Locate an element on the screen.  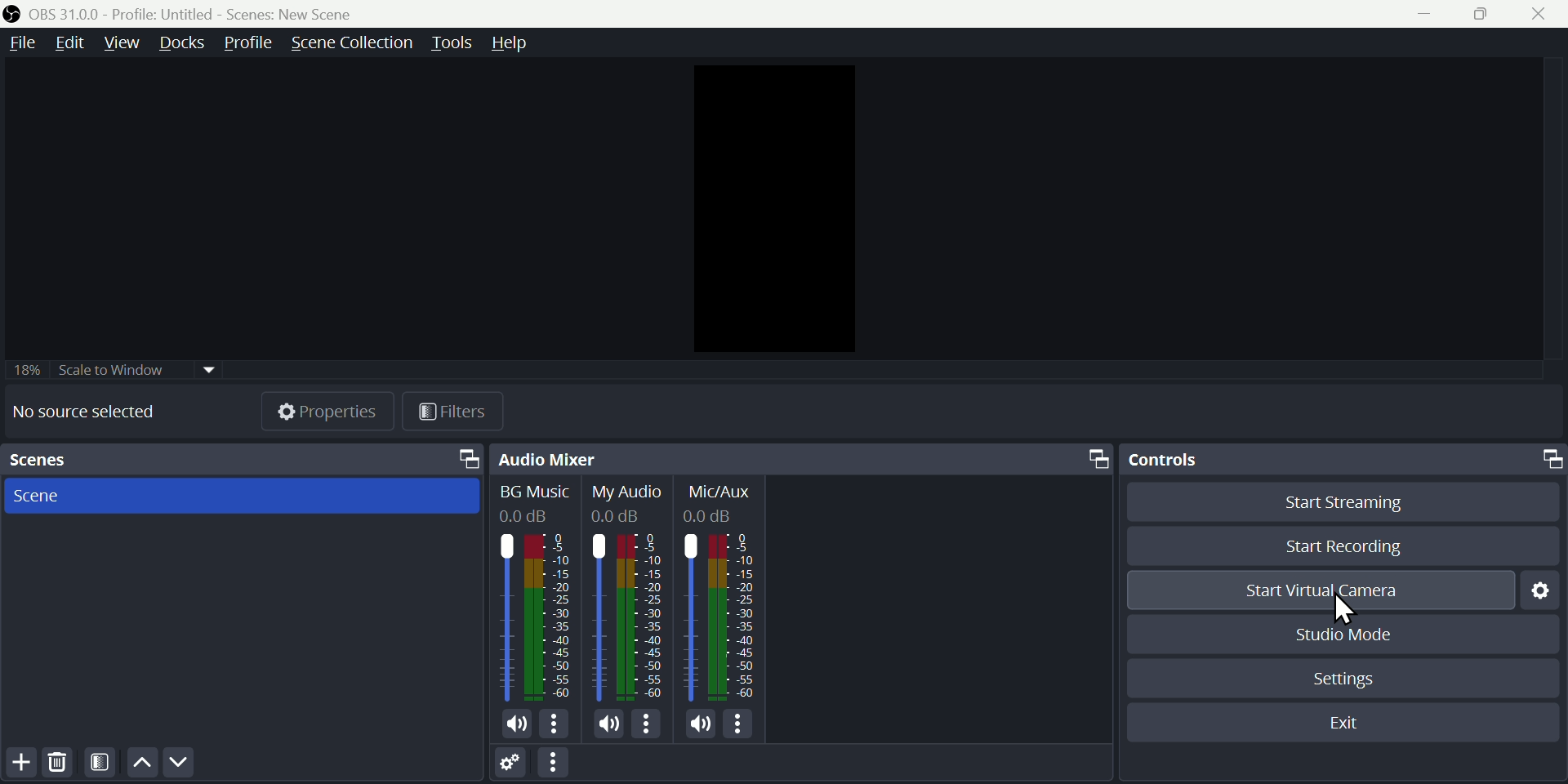
cursor is located at coordinates (1346, 610).